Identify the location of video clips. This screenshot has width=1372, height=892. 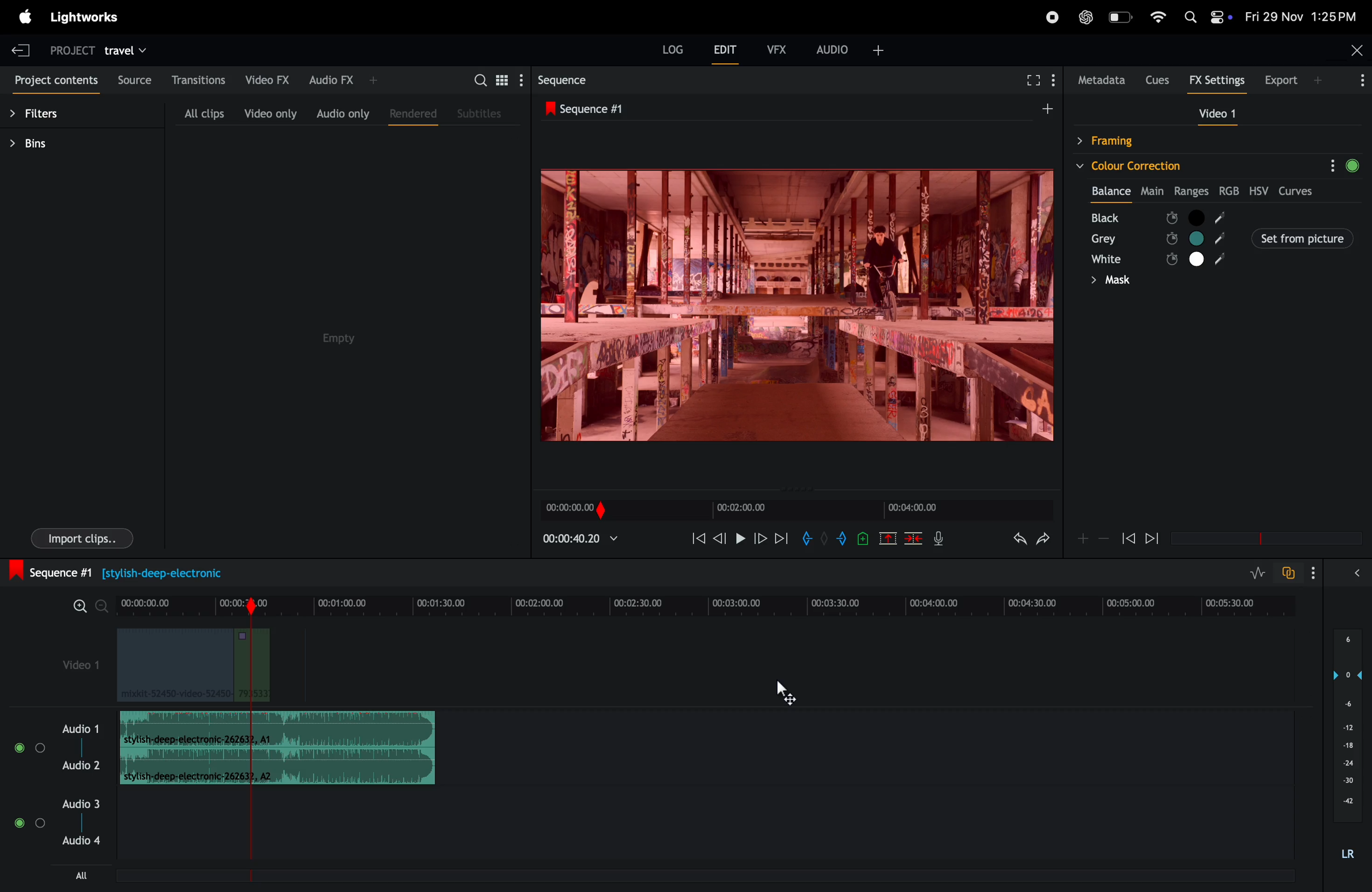
(193, 666).